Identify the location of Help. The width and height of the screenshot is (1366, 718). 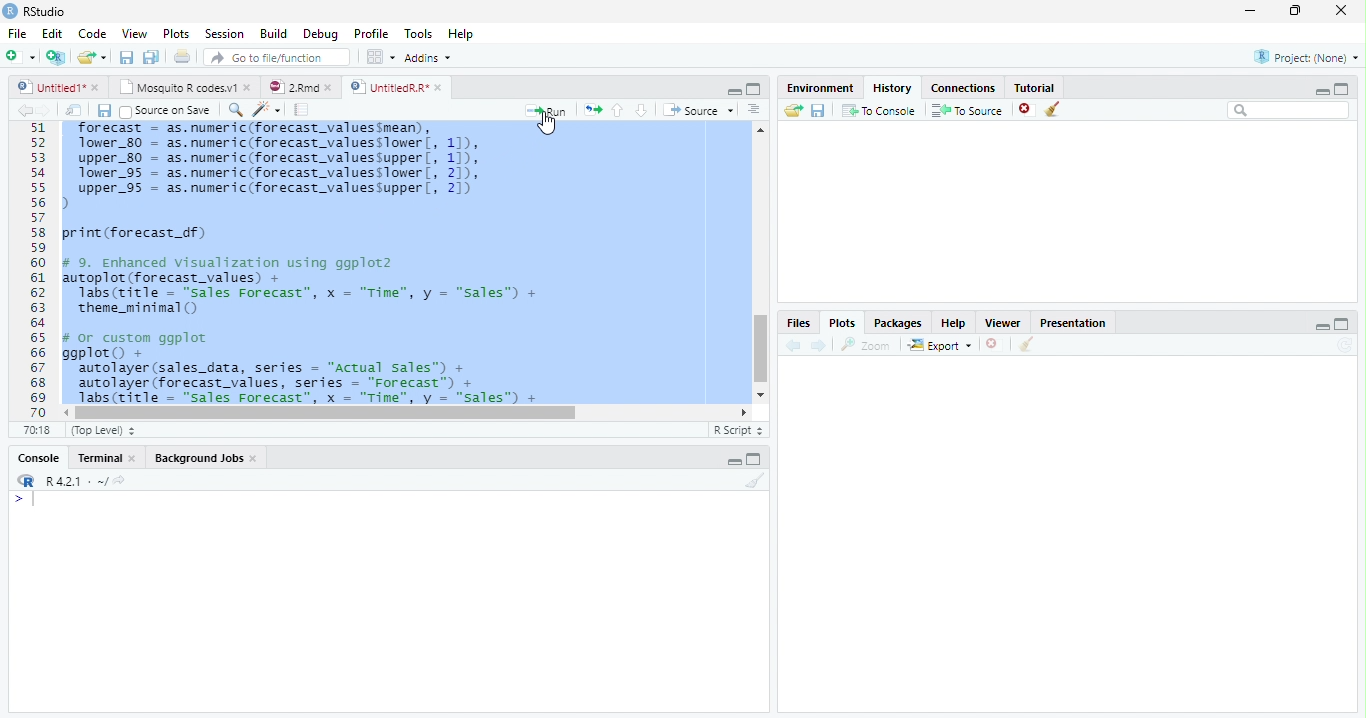
(955, 324).